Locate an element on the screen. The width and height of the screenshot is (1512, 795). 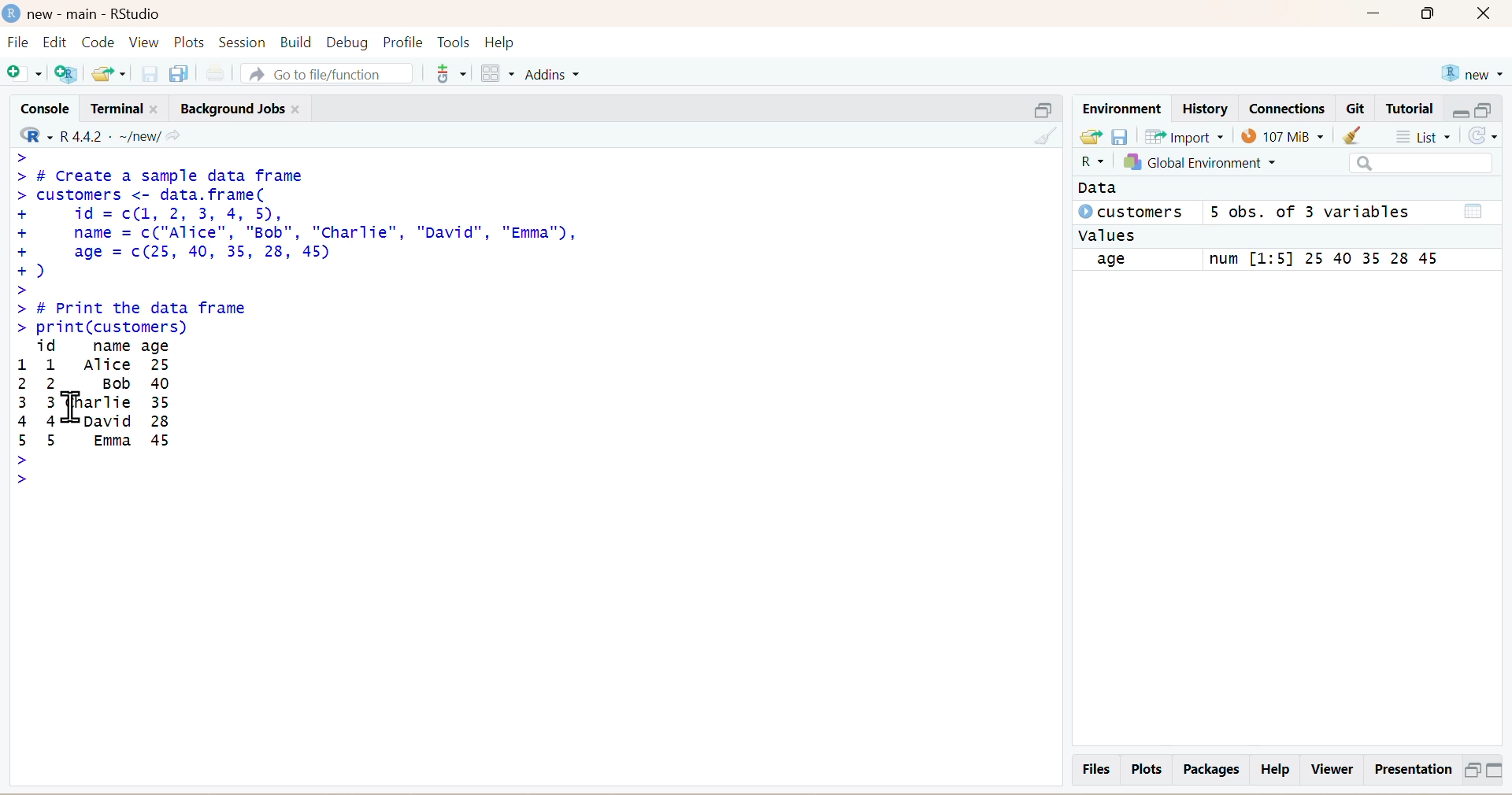
Viewer is located at coordinates (1332, 769).